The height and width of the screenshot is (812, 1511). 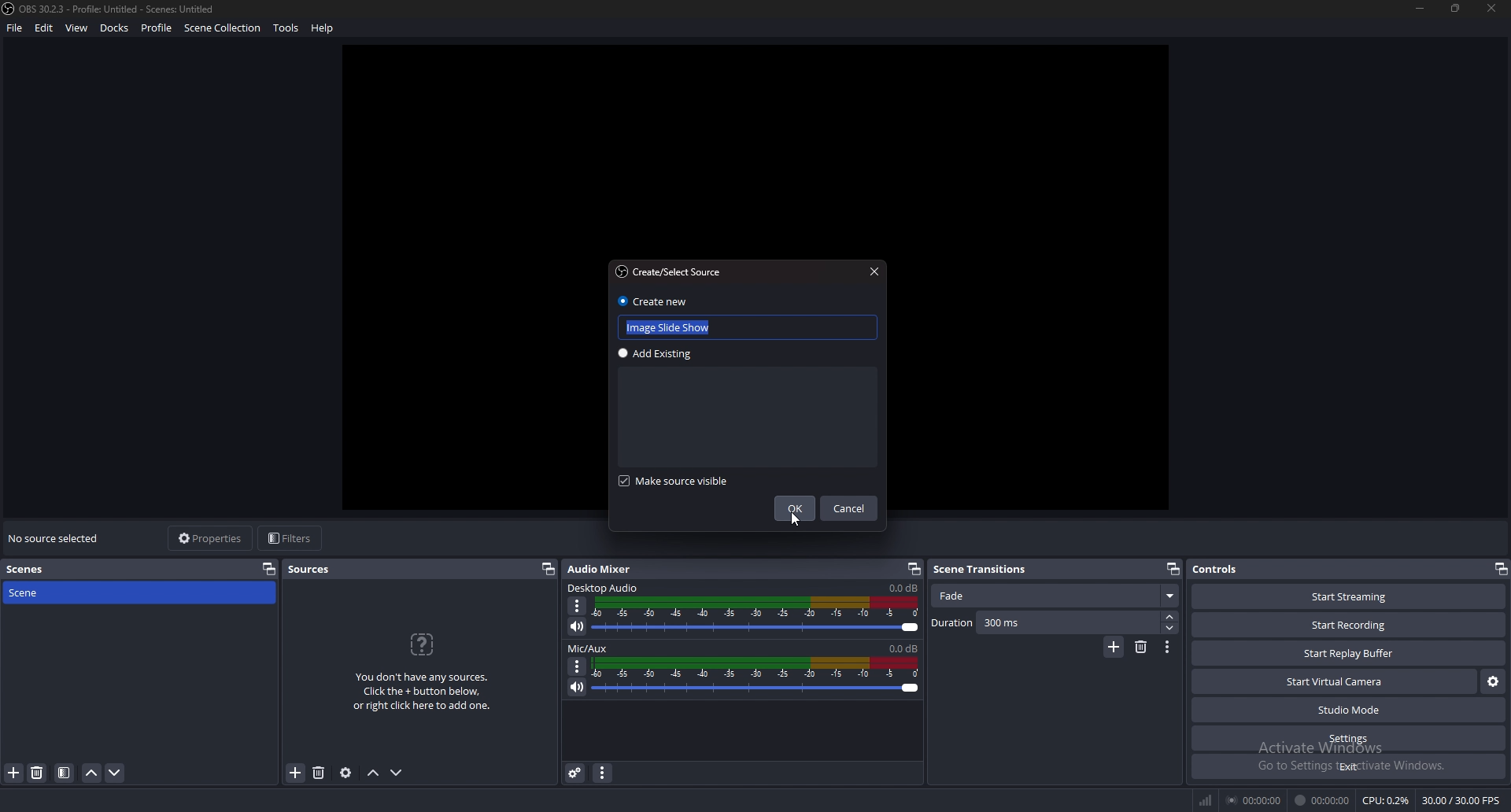 What do you see at coordinates (1225, 570) in the screenshot?
I see `controls` at bounding box center [1225, 570].